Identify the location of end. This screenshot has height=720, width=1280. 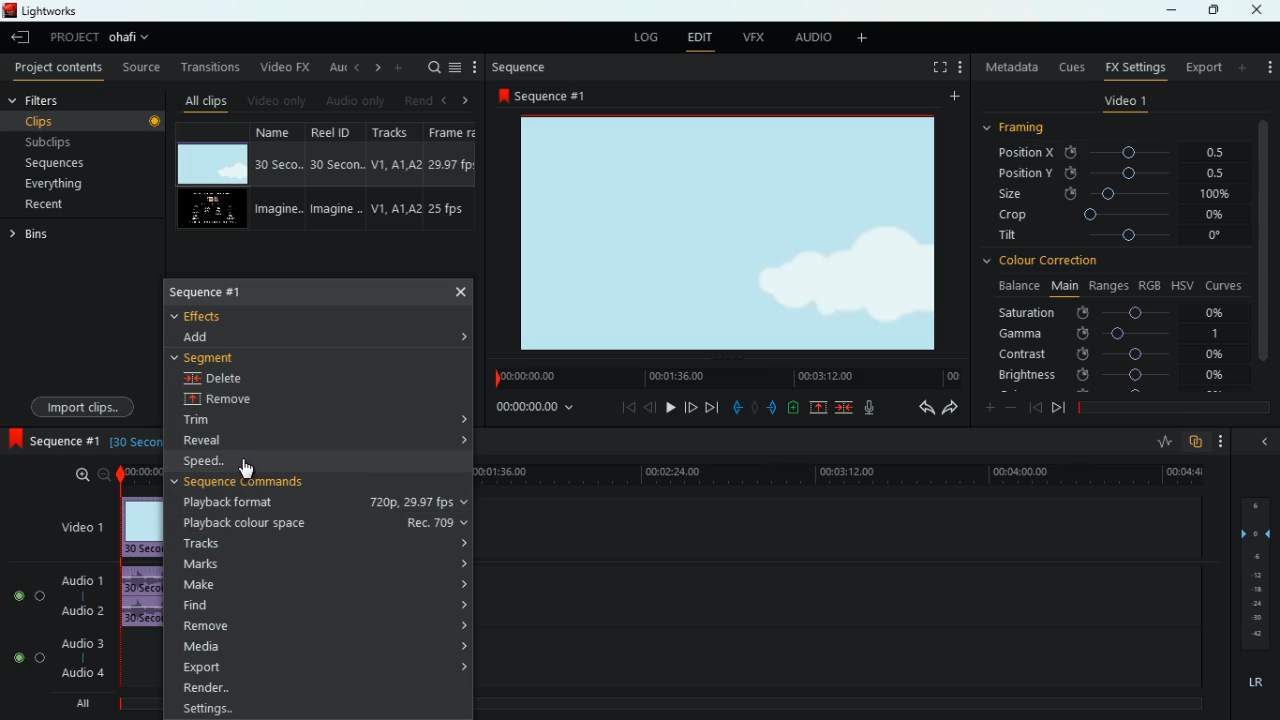
(714, 407).